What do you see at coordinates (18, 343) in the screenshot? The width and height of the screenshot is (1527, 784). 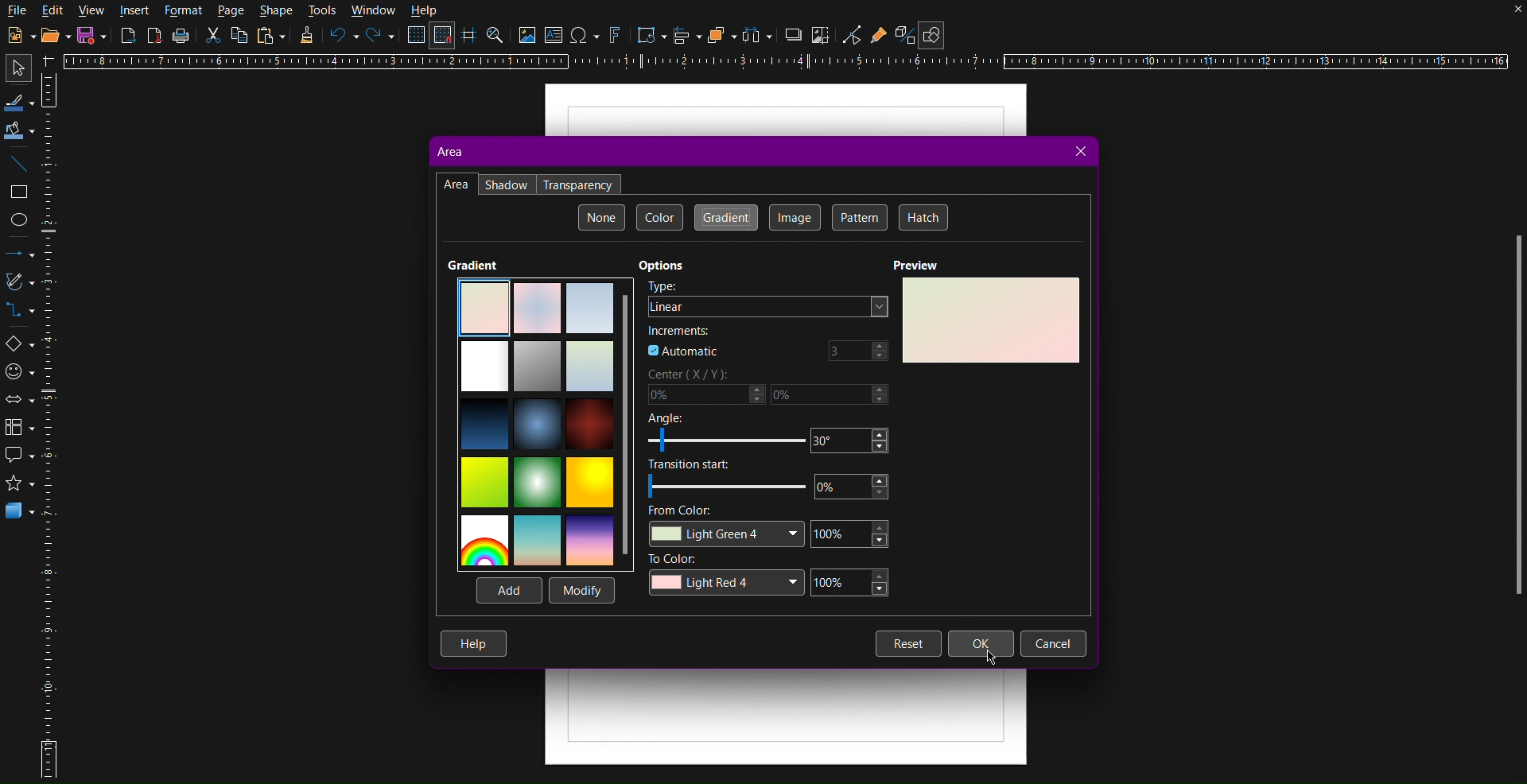 I see `Basic Shapes` at bounding box center [18, 343].